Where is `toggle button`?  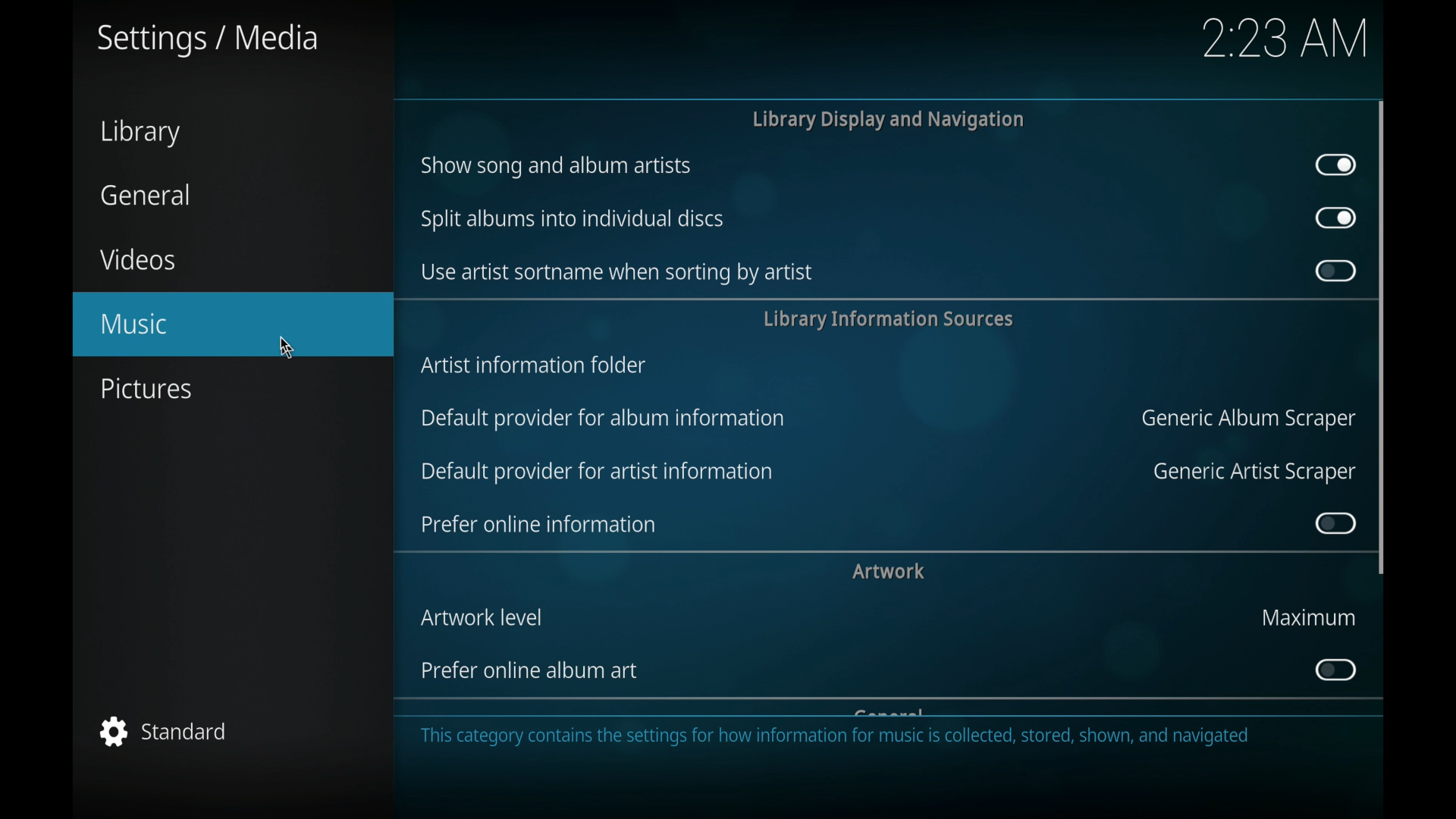 toggle button is located at coordinates (1334, 670).